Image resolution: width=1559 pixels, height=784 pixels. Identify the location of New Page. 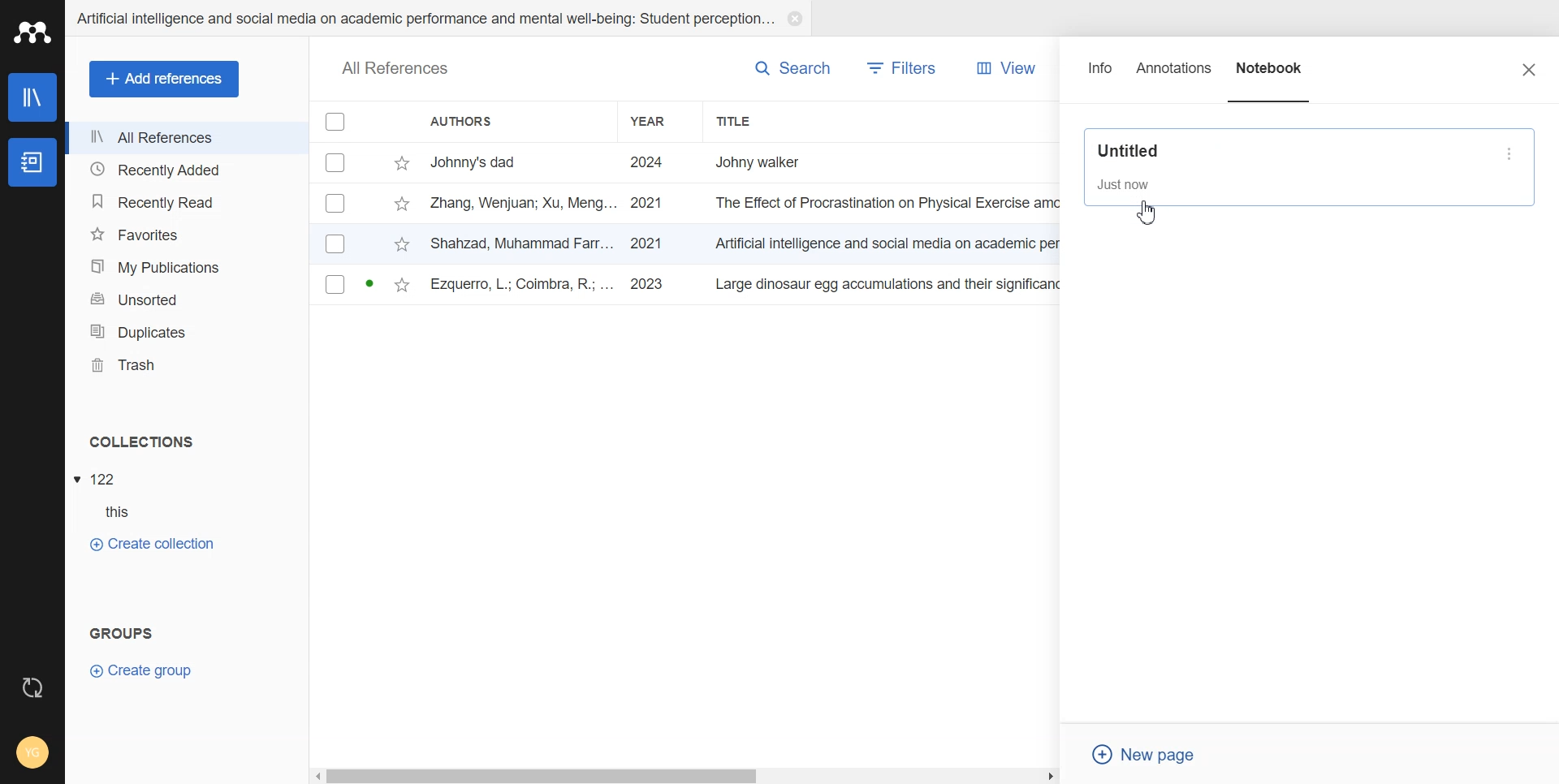
(1151, 755).